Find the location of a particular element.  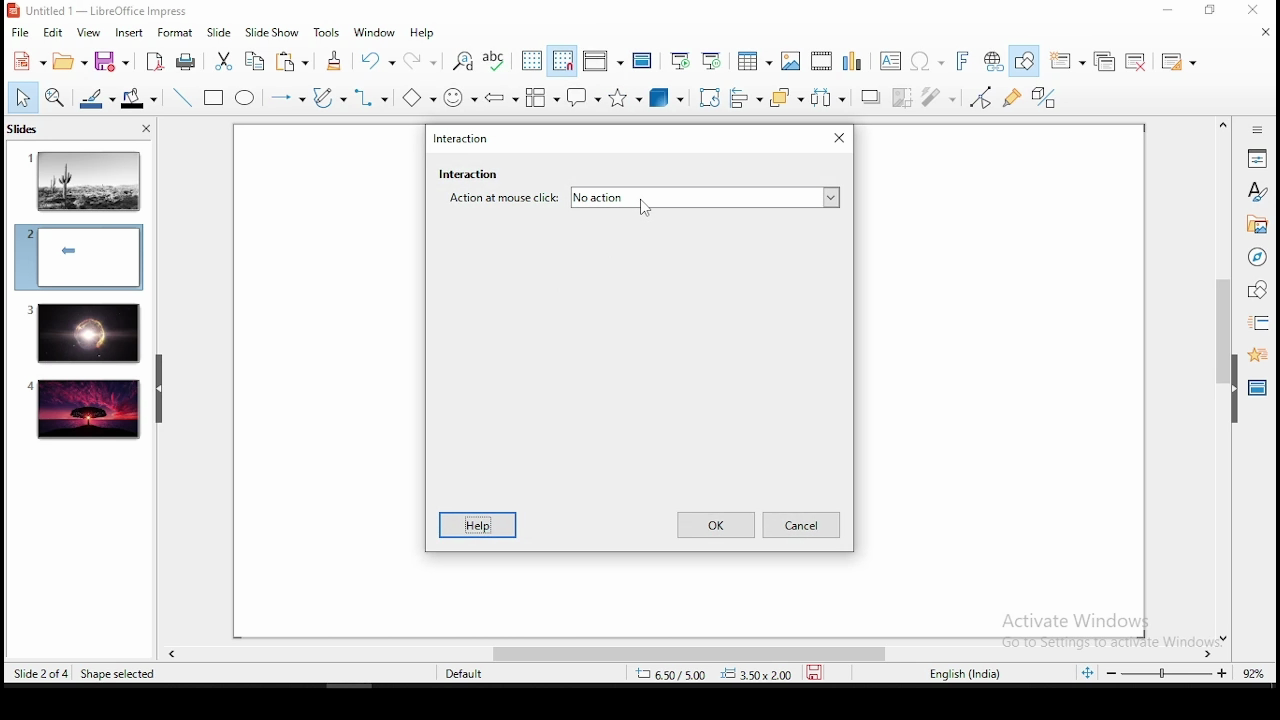

basic shapes is located at coordinates (415, 98).